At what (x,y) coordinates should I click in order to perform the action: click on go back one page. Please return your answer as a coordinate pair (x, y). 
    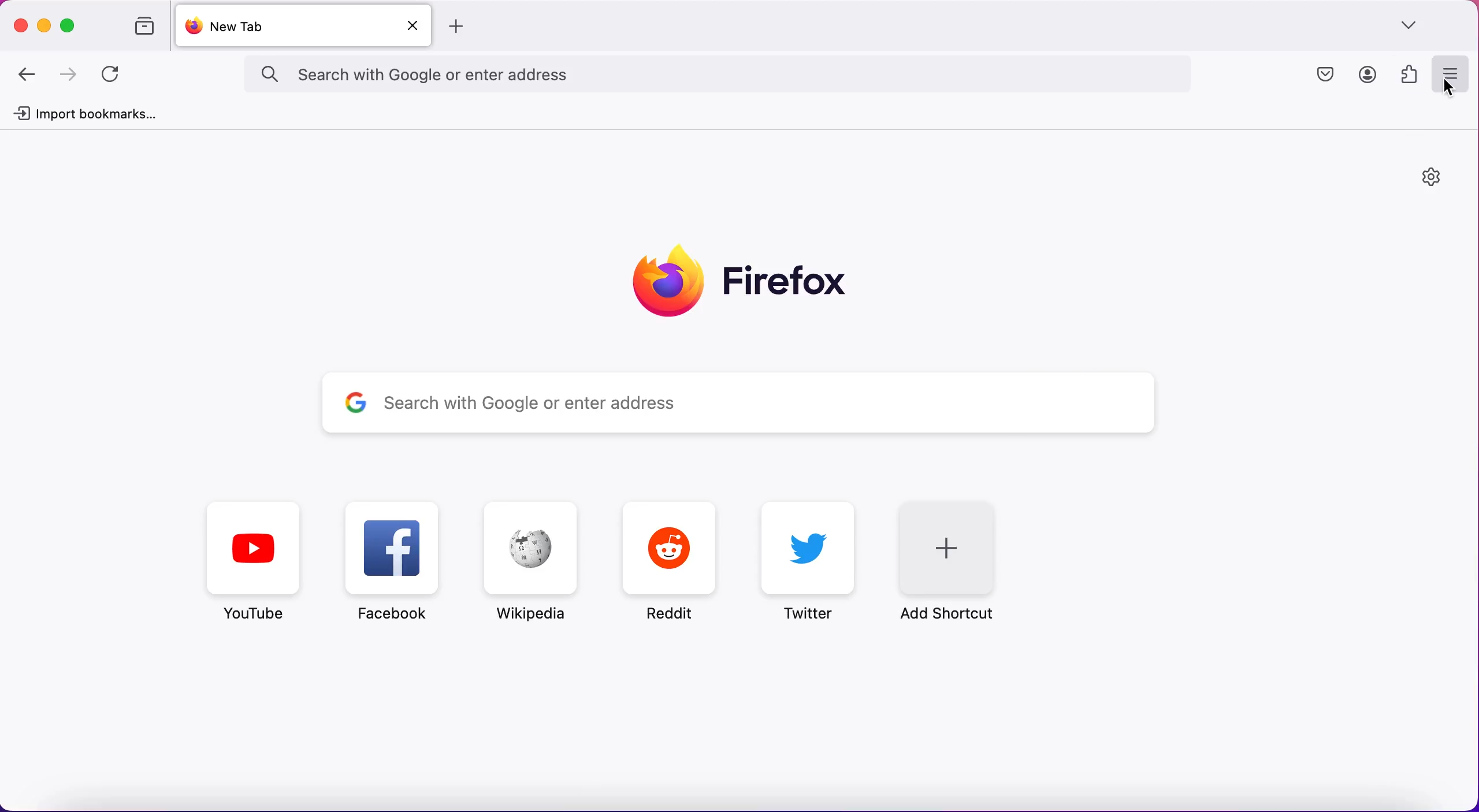
    Looking at the image, I should click on (29, 74).